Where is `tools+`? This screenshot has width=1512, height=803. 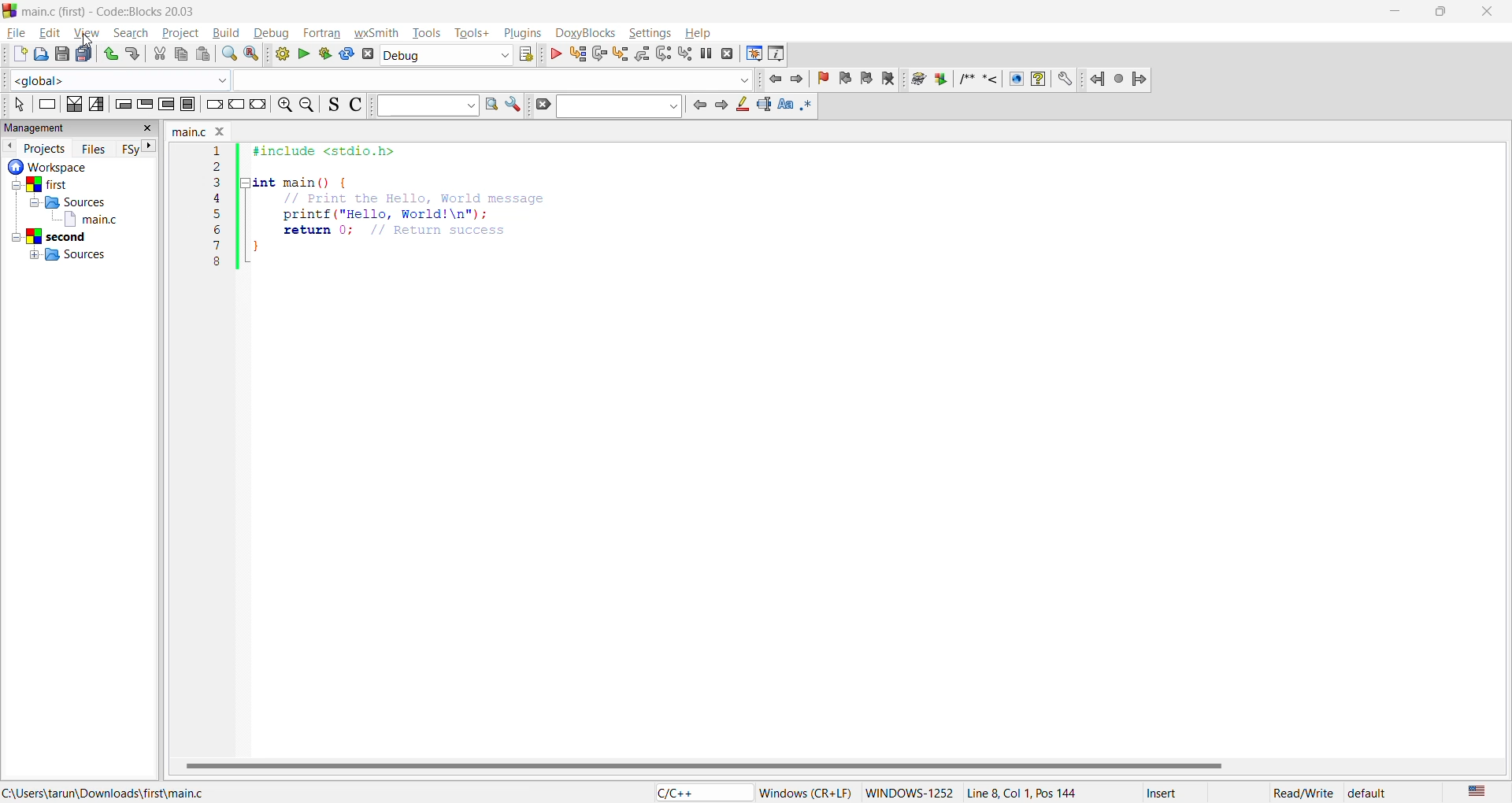
tools+ is located at coordinates (471, 33).